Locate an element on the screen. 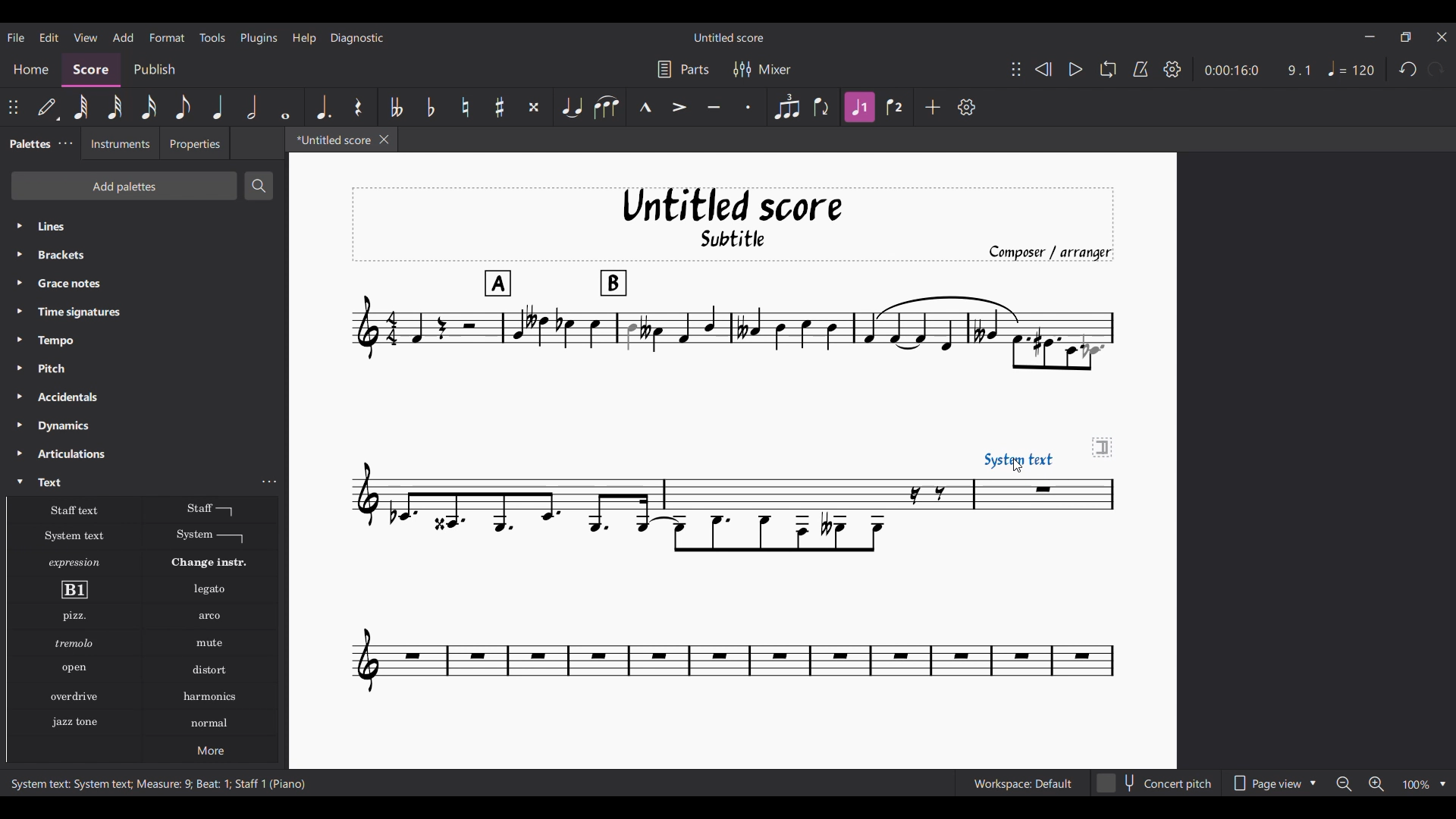 The width and height of the screenshot is (1456, 819). Home section is located at coordinates (30, 70).